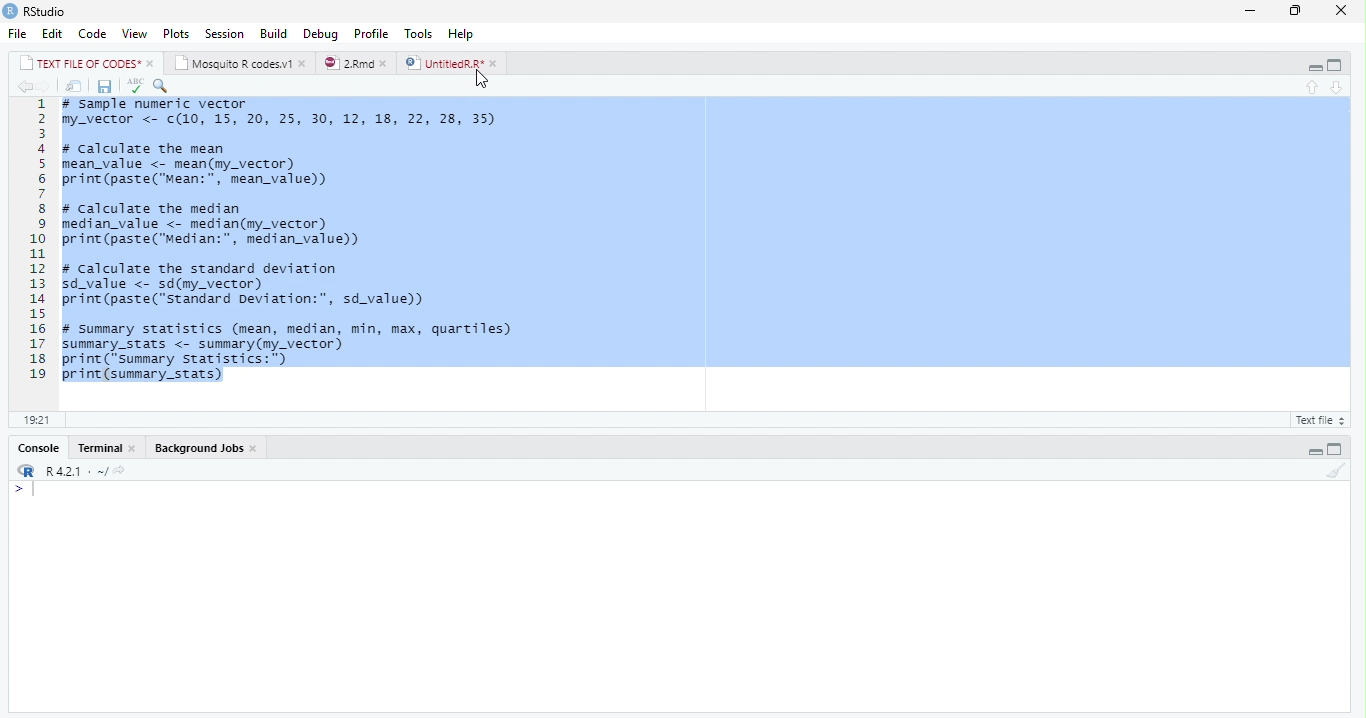  I want to click on RStudio, so click(47, 12).